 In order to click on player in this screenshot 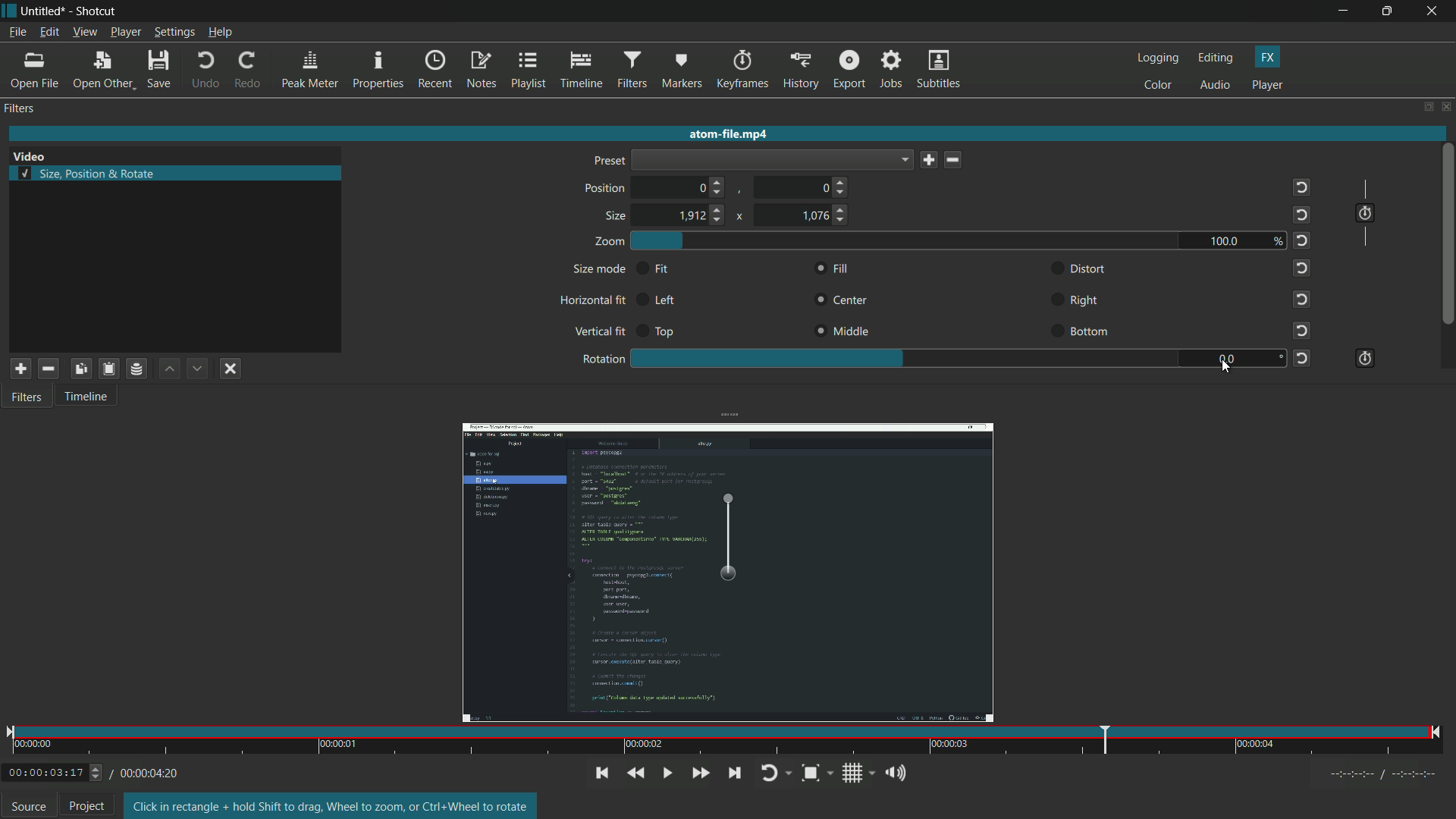, I will do `click(1270, 85)`.